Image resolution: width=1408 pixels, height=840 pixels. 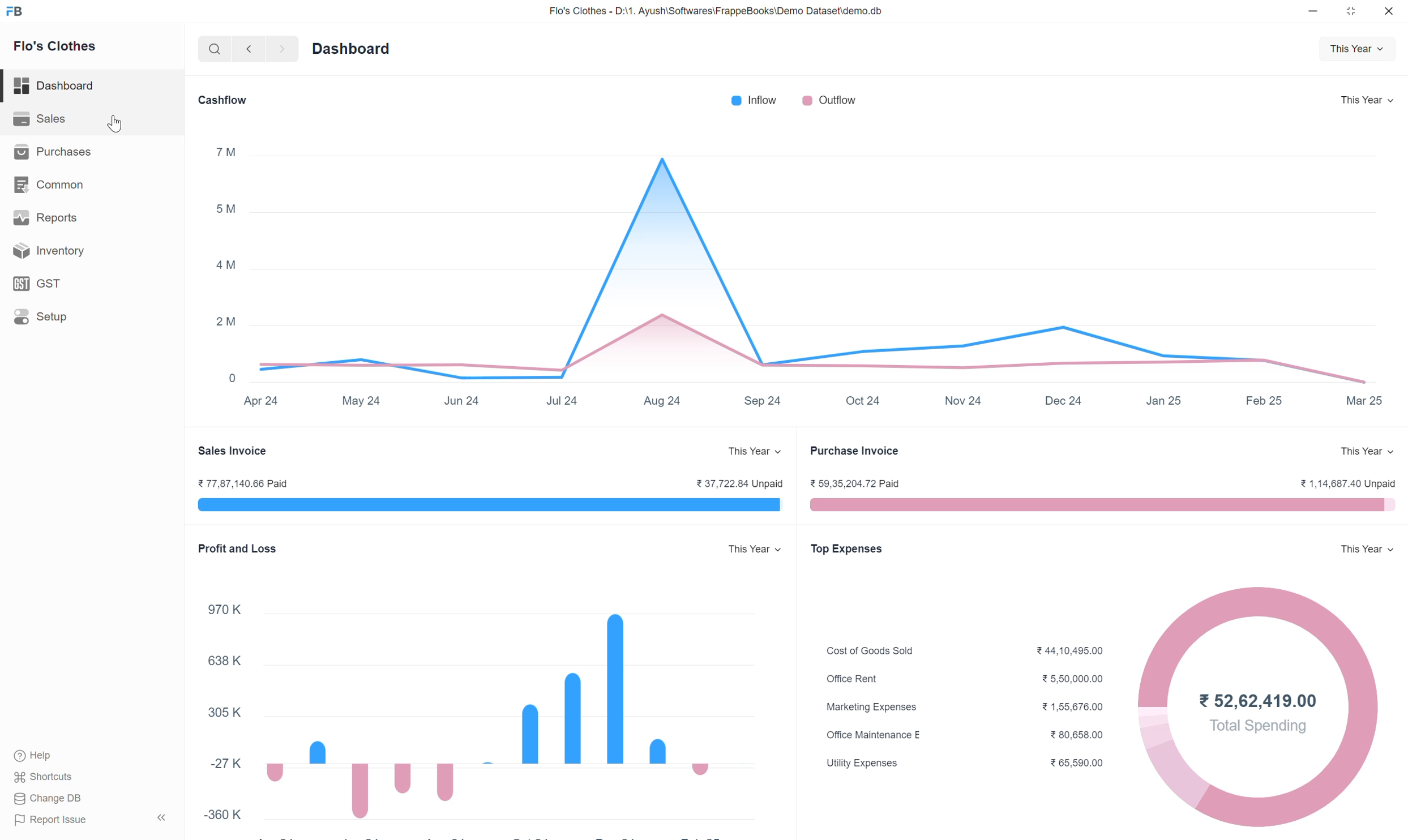 What do you see at coordinates (828, 256) in the screenshot?
I see `Area line graph` at bounding box center [828, 256].